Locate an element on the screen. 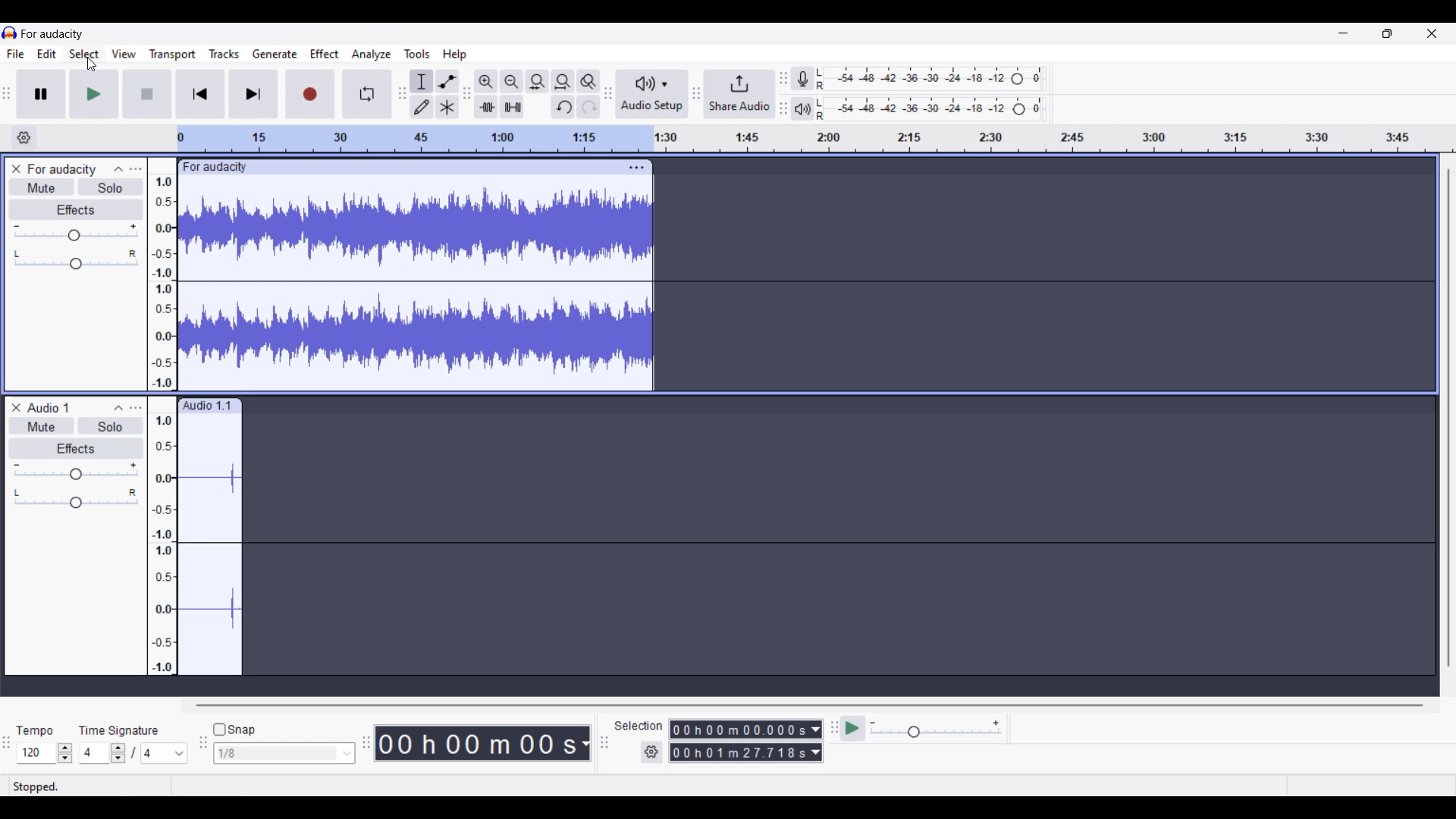 The height and width of the screenshot is (819, 1456). cursor is located at coordinates (93, 67).